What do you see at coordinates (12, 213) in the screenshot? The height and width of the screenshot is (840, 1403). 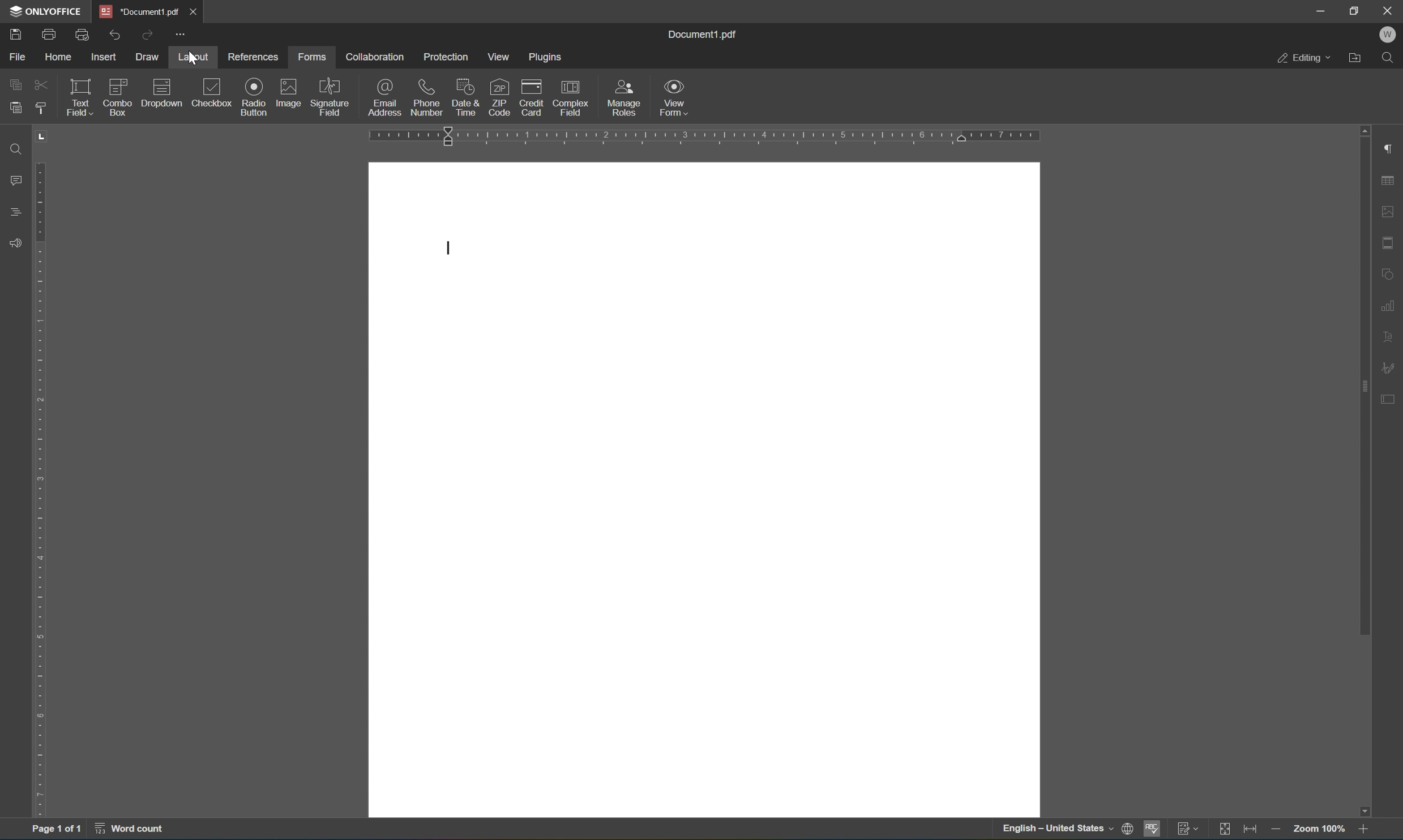 I see `headings` at bounding box center [12, 213].